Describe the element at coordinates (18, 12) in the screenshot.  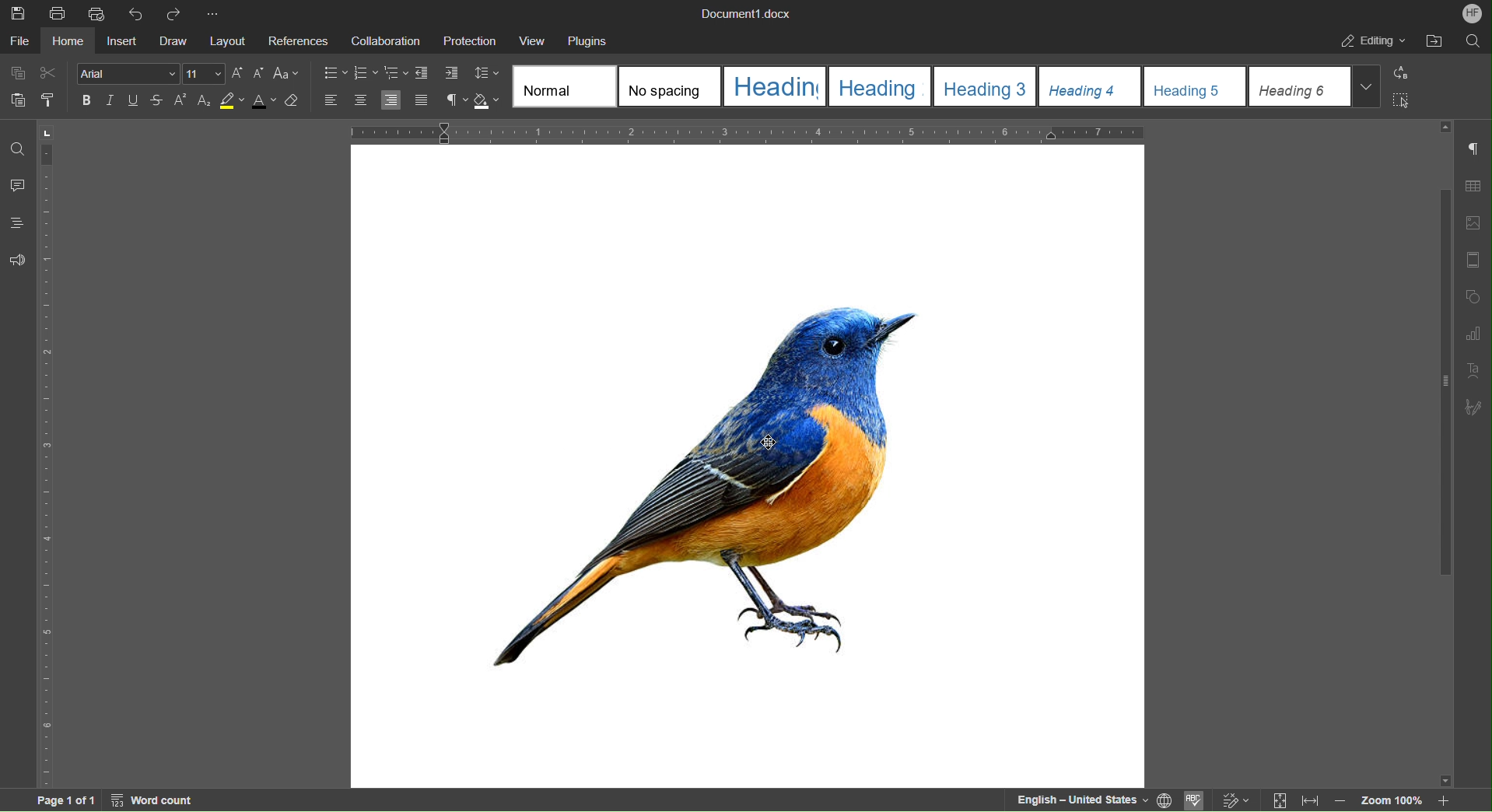
I see `Save` at that location.